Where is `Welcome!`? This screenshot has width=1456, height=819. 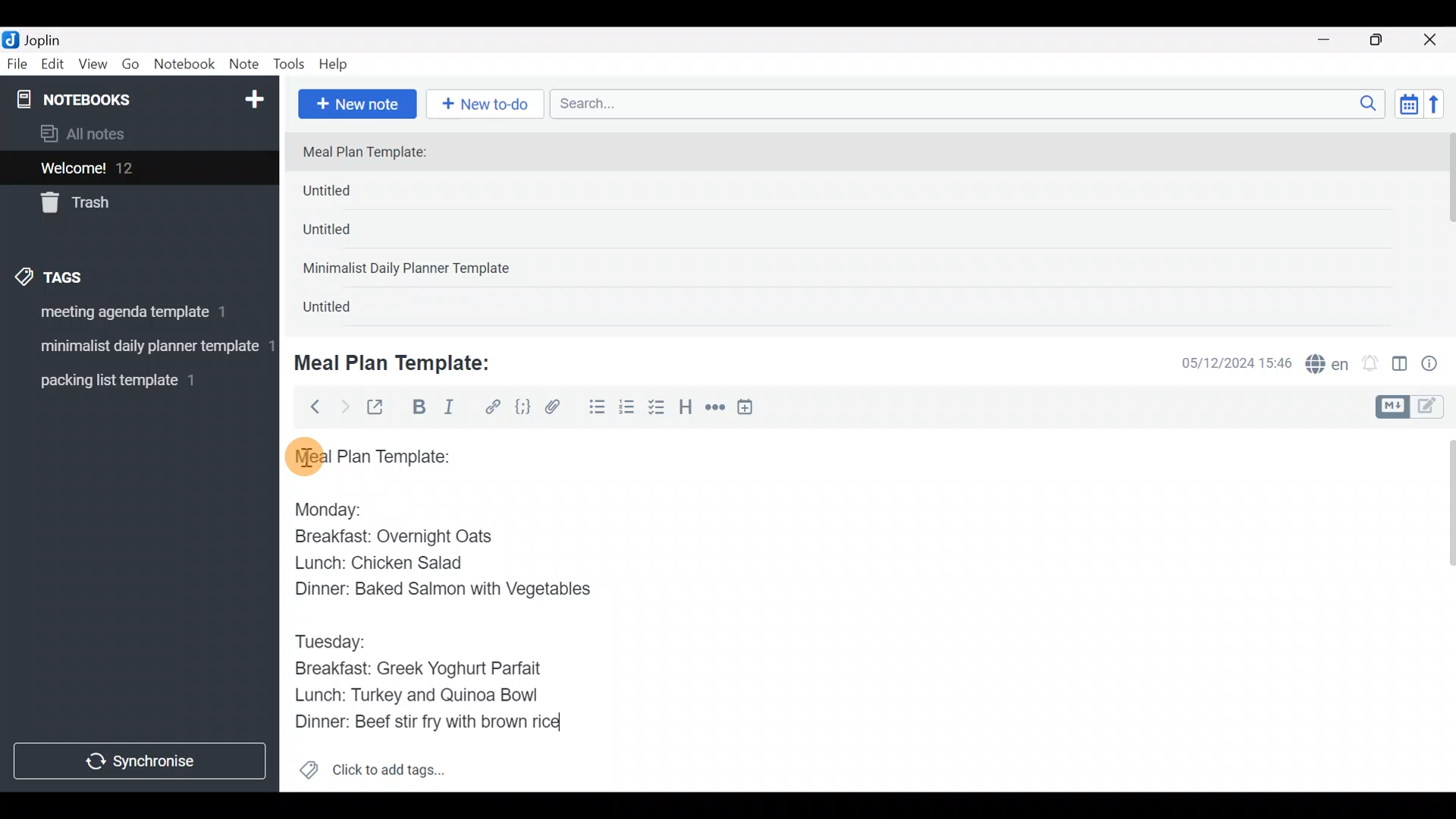 Welcome! is located at coordinates (137, 169).